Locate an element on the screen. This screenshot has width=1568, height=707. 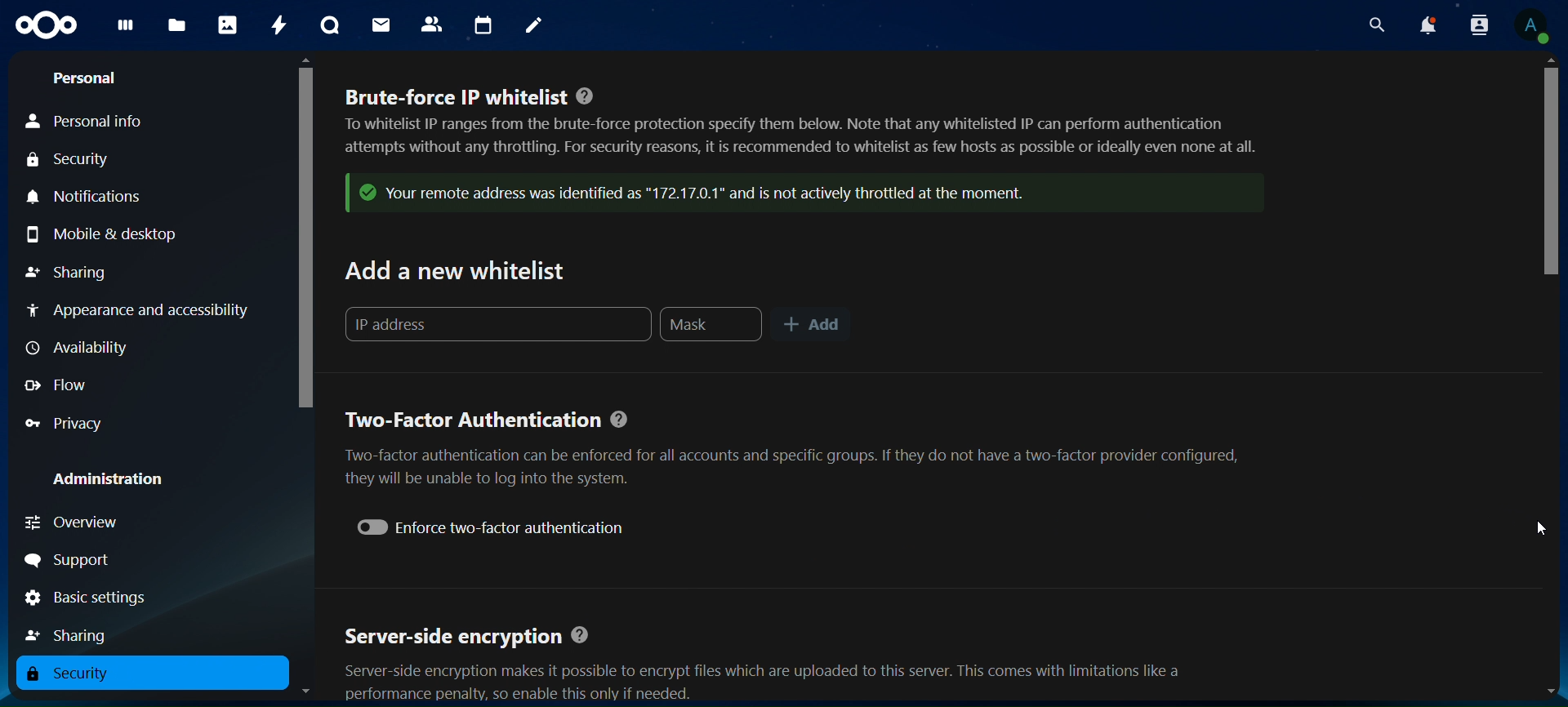
add is located at coordinates (814, 325).